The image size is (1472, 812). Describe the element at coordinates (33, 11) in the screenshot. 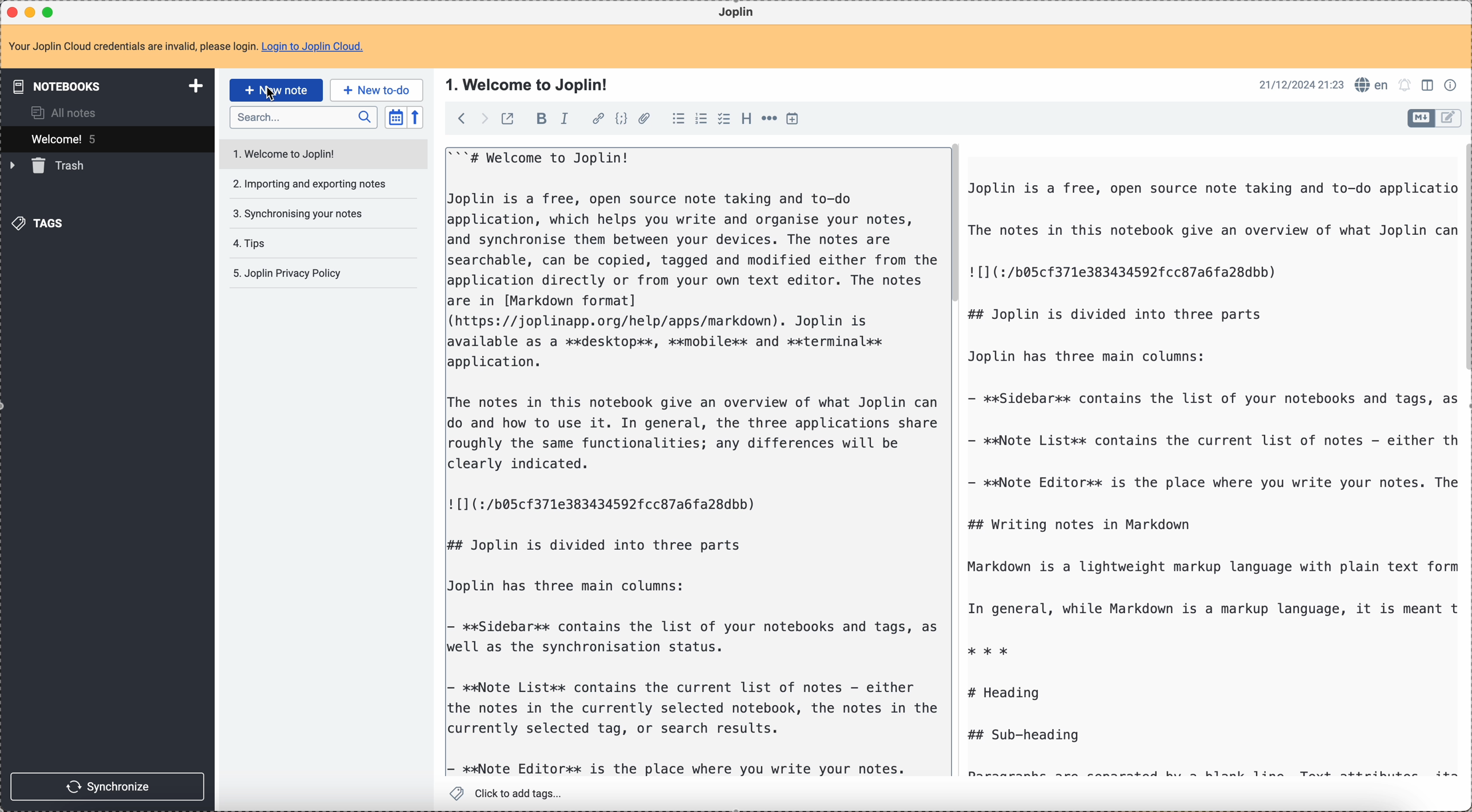

I see `minimize` at that location.